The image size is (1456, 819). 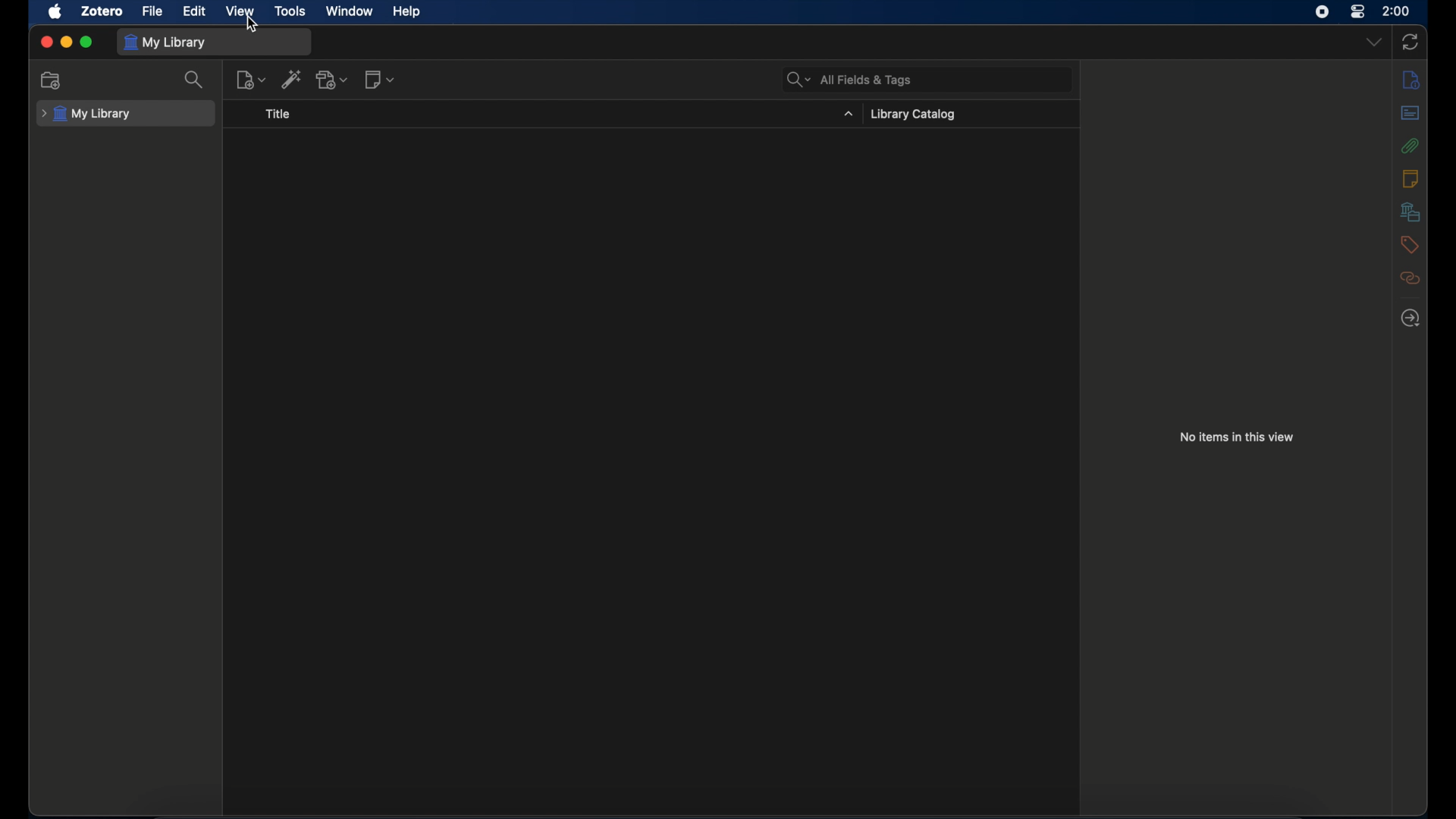 I want to click on libraries, so click(x=1411, y=213).